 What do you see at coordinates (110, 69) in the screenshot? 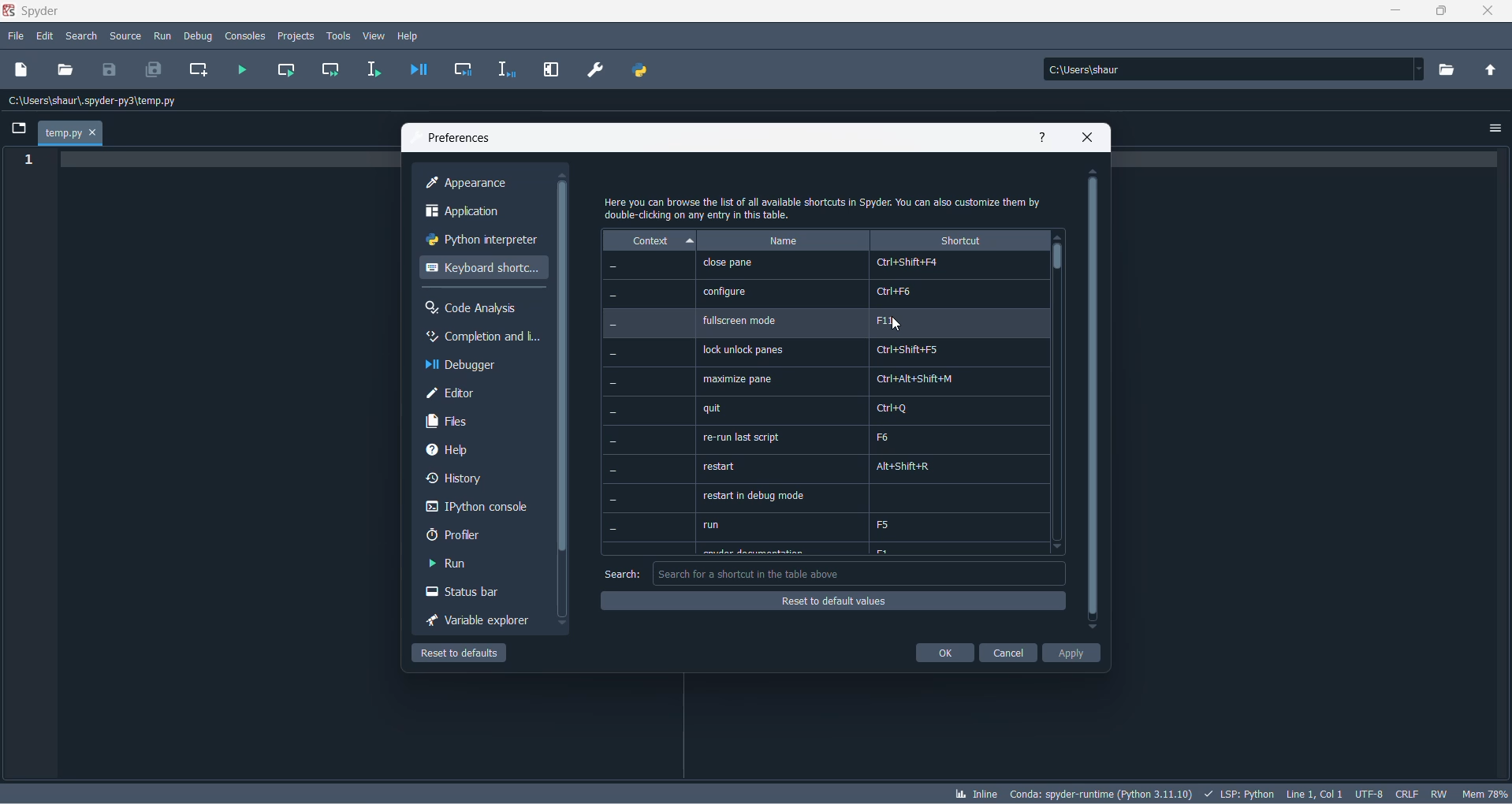
I see `save` at bounding box center [110, 69].